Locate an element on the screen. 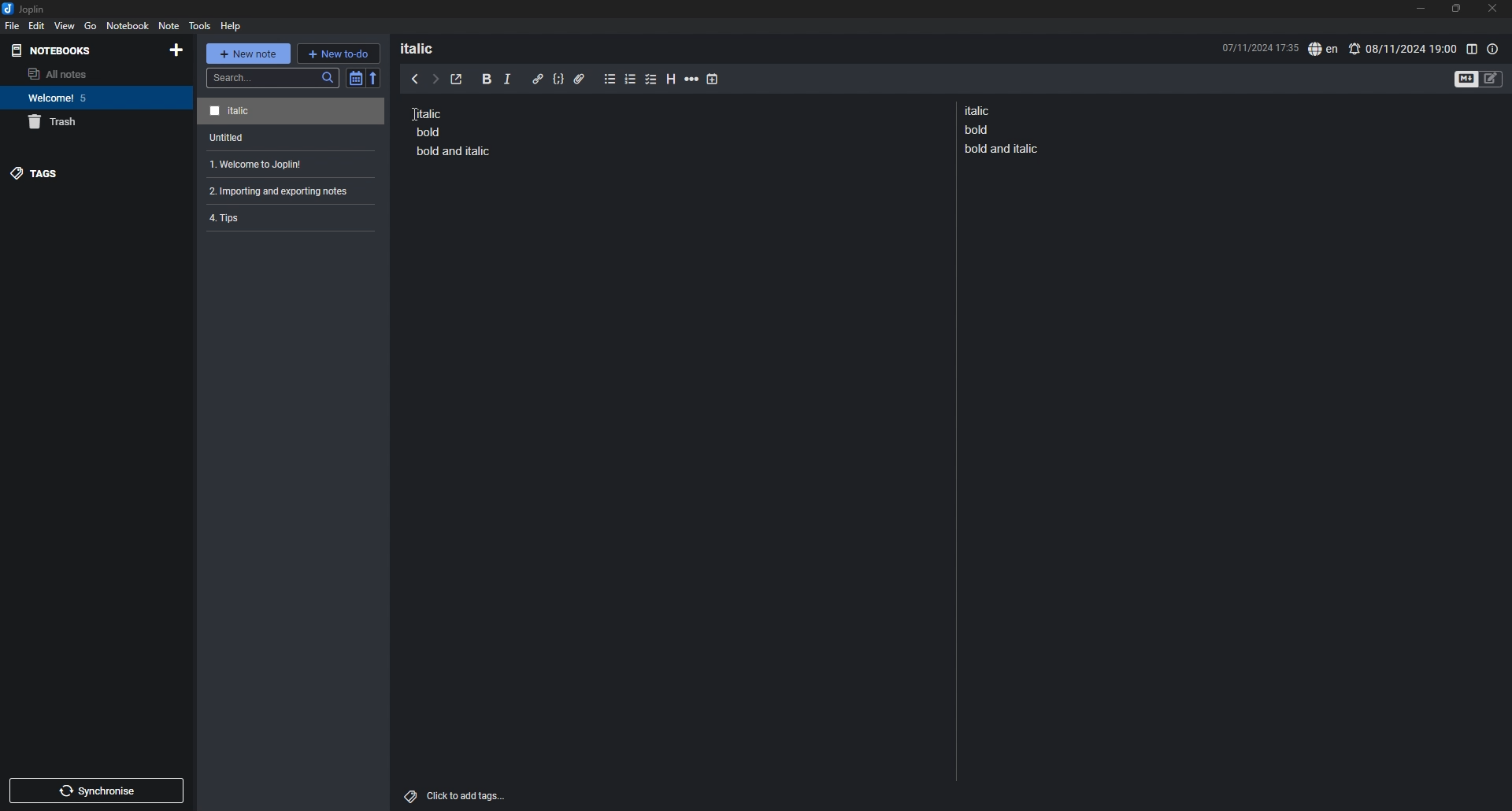 The width and height of the screenshot is (1512, 811). file is located at coordinates (13, 25).